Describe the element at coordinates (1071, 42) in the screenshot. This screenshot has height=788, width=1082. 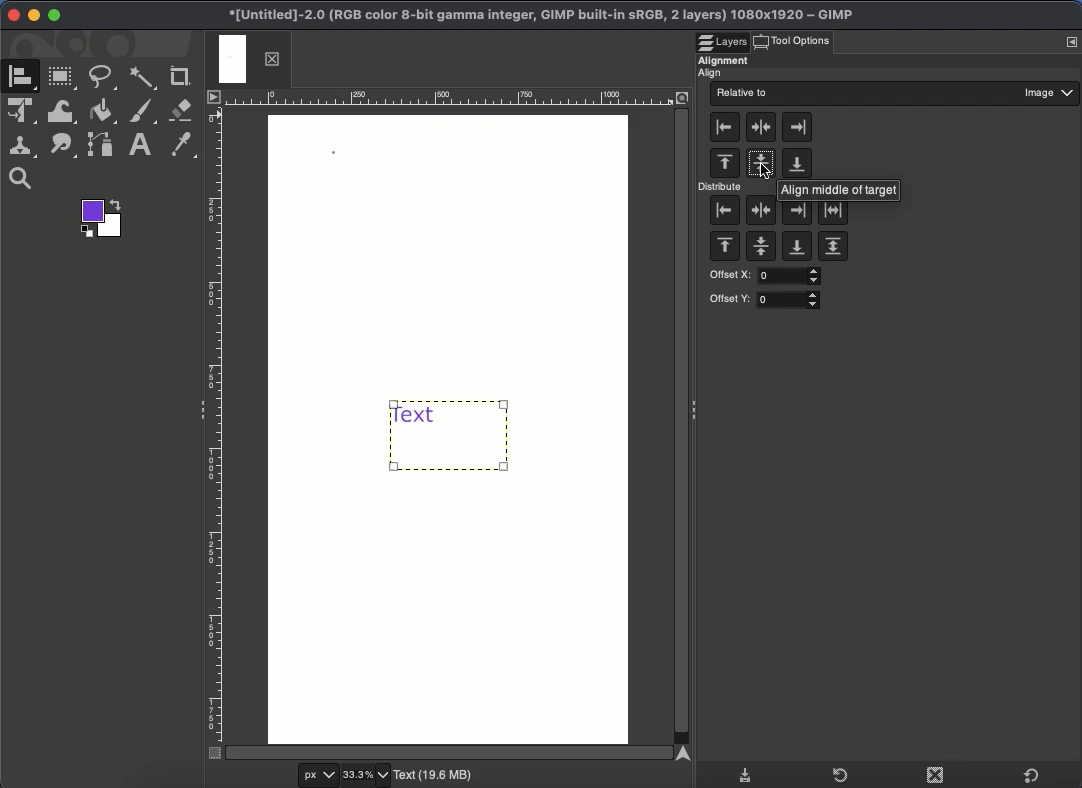
I see `Menu` at that location.